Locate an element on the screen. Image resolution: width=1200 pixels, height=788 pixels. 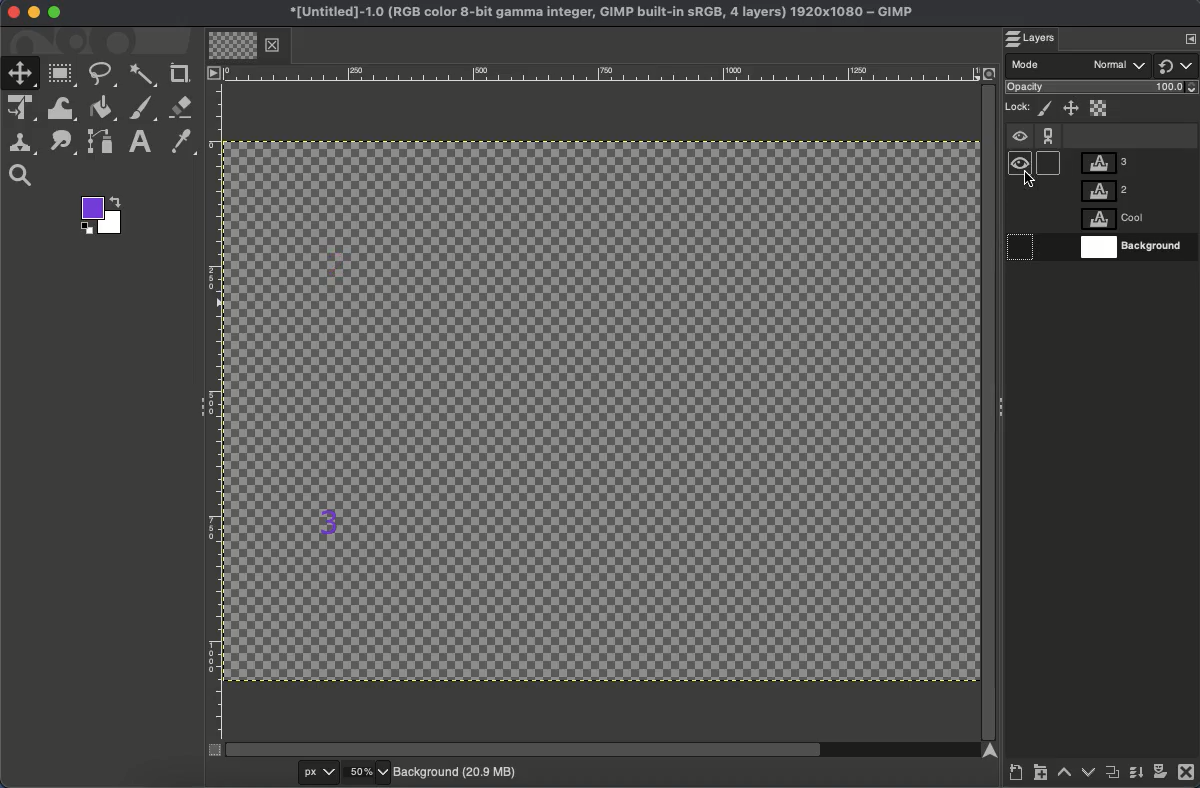
Chain is located at coordinates (1049, 131).